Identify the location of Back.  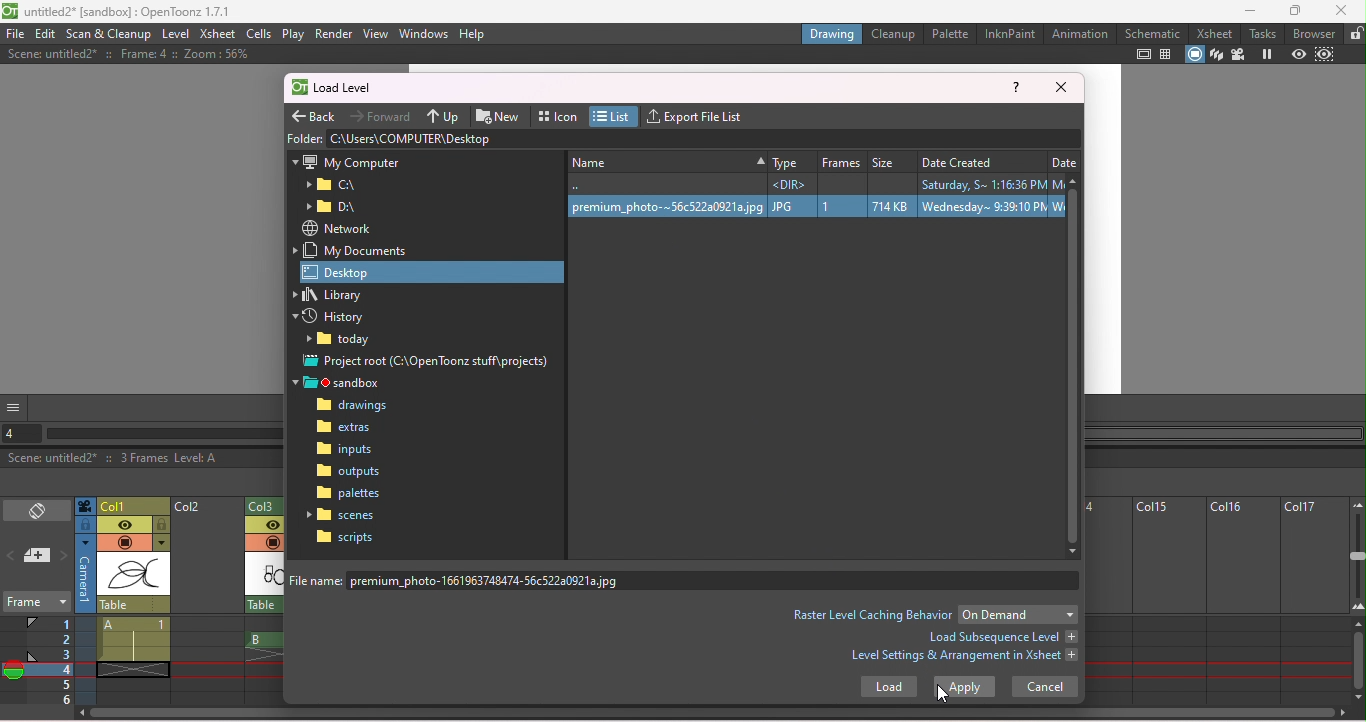
(316, 113).